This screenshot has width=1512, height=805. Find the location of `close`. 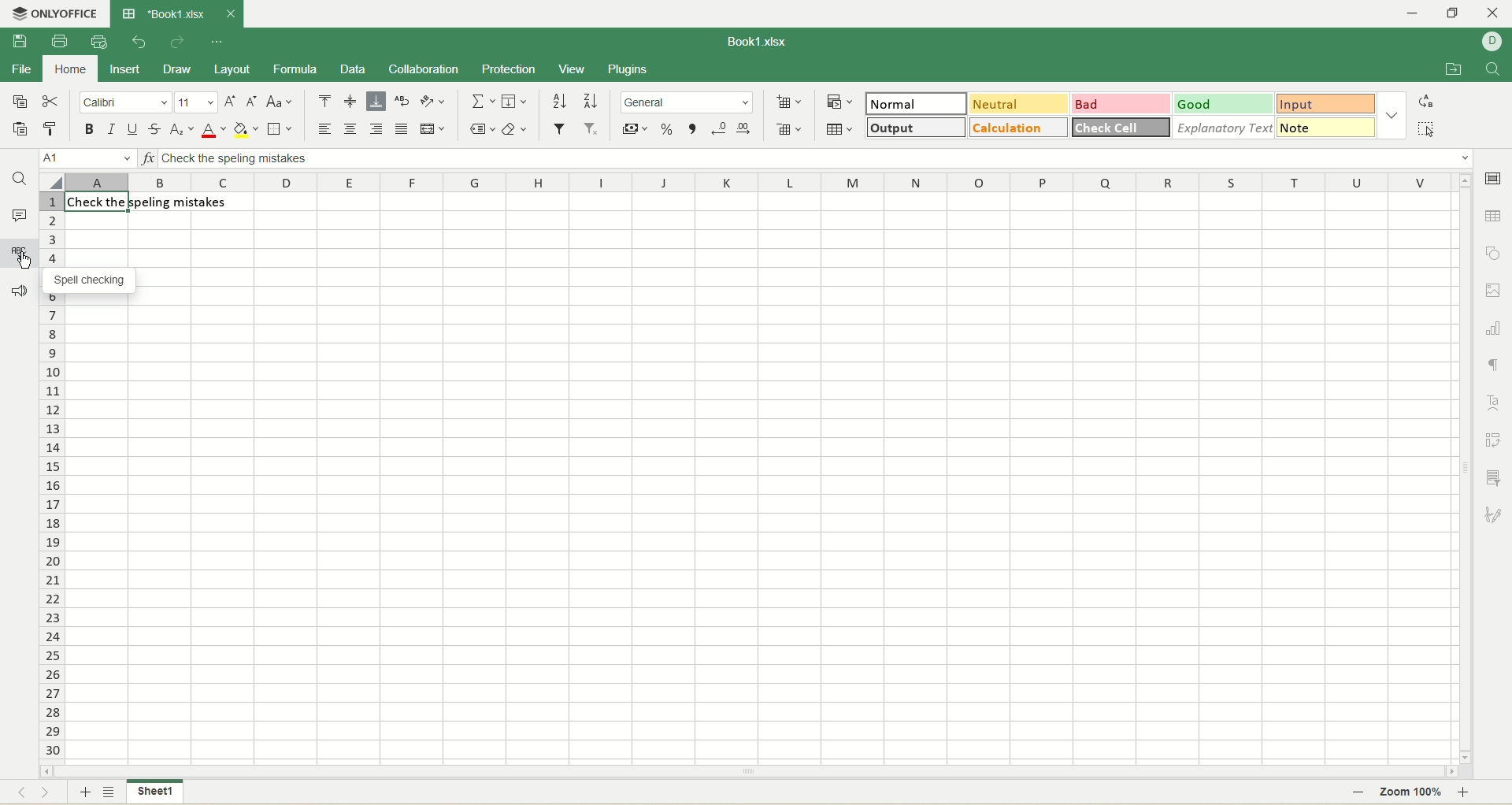

close is located at coordinates (1492, 13).